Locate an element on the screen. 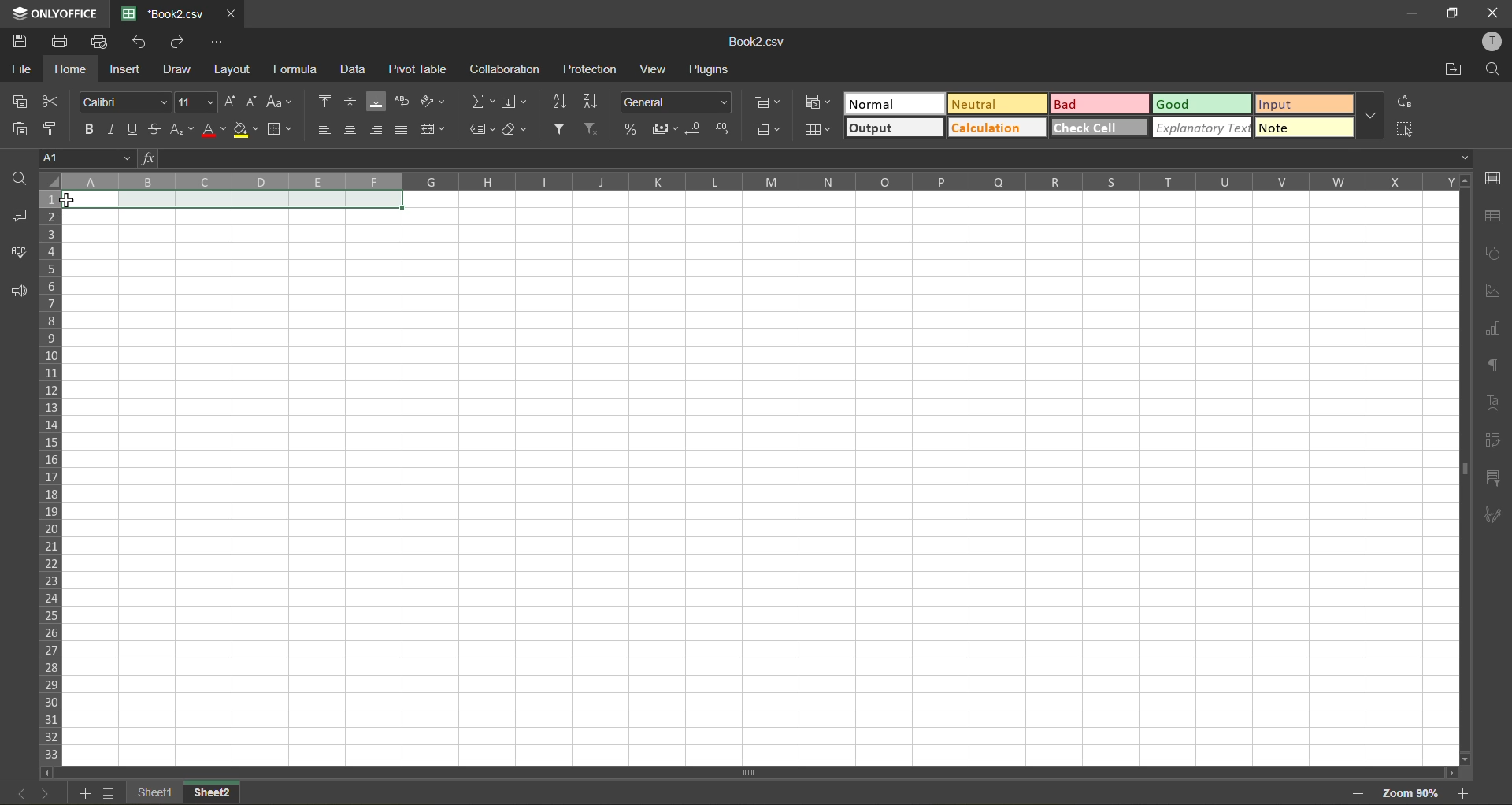  sub\superscript is located at coordinates (180, 131).